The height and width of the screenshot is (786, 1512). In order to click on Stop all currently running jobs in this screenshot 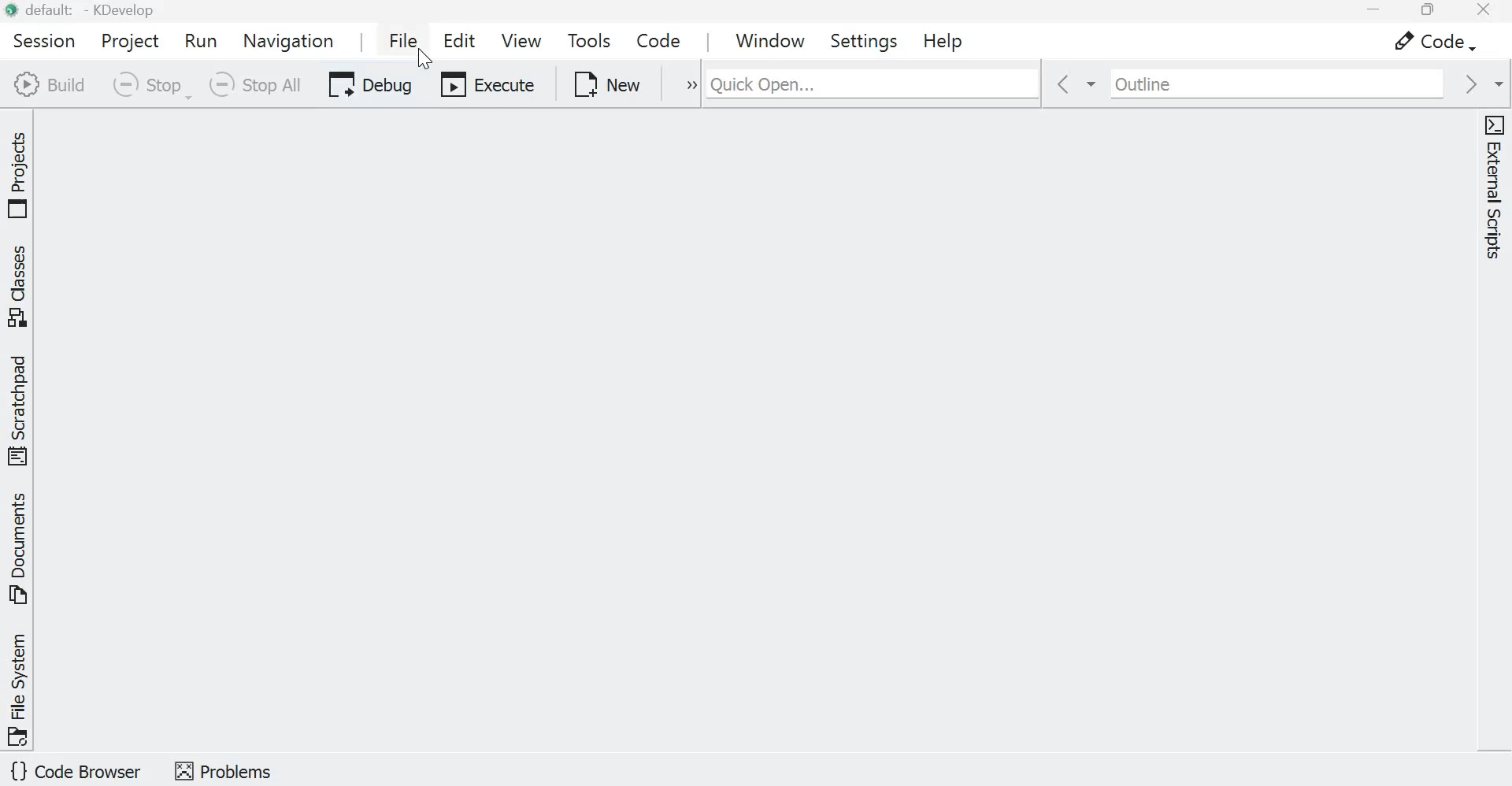, I will do `click(253, 85)`.